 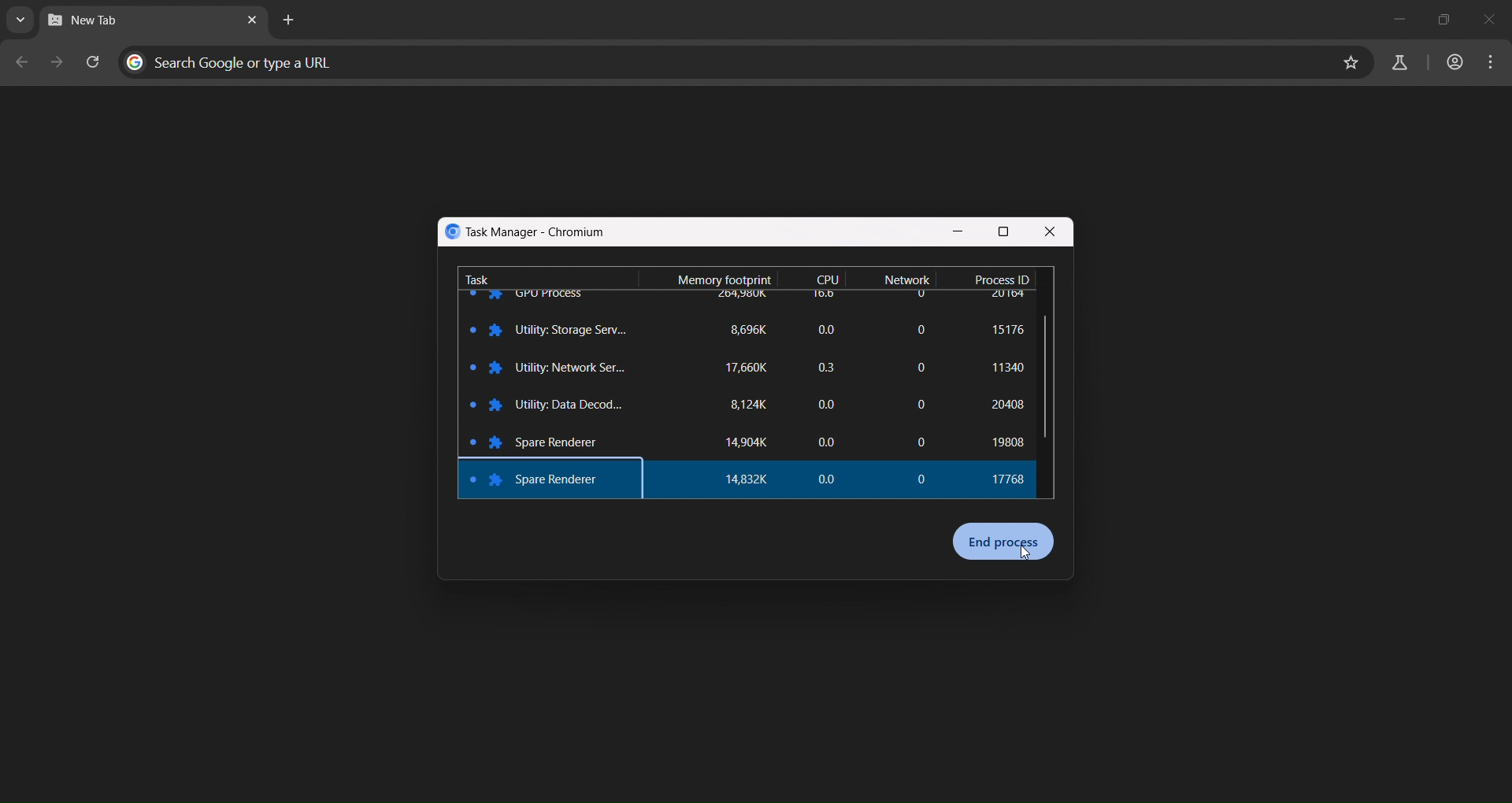 I want to click on 14,904K, so click(x=748, y=445).